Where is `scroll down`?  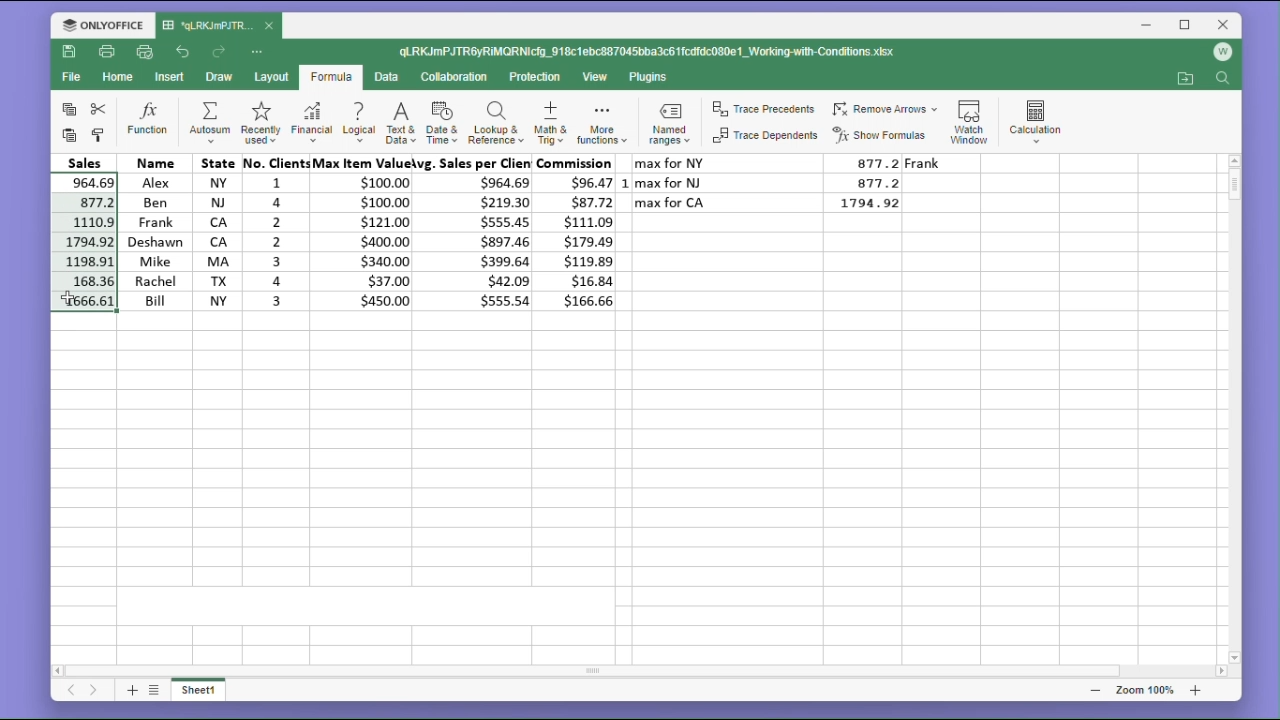 scroll down is located at coordinates (1235, 657).